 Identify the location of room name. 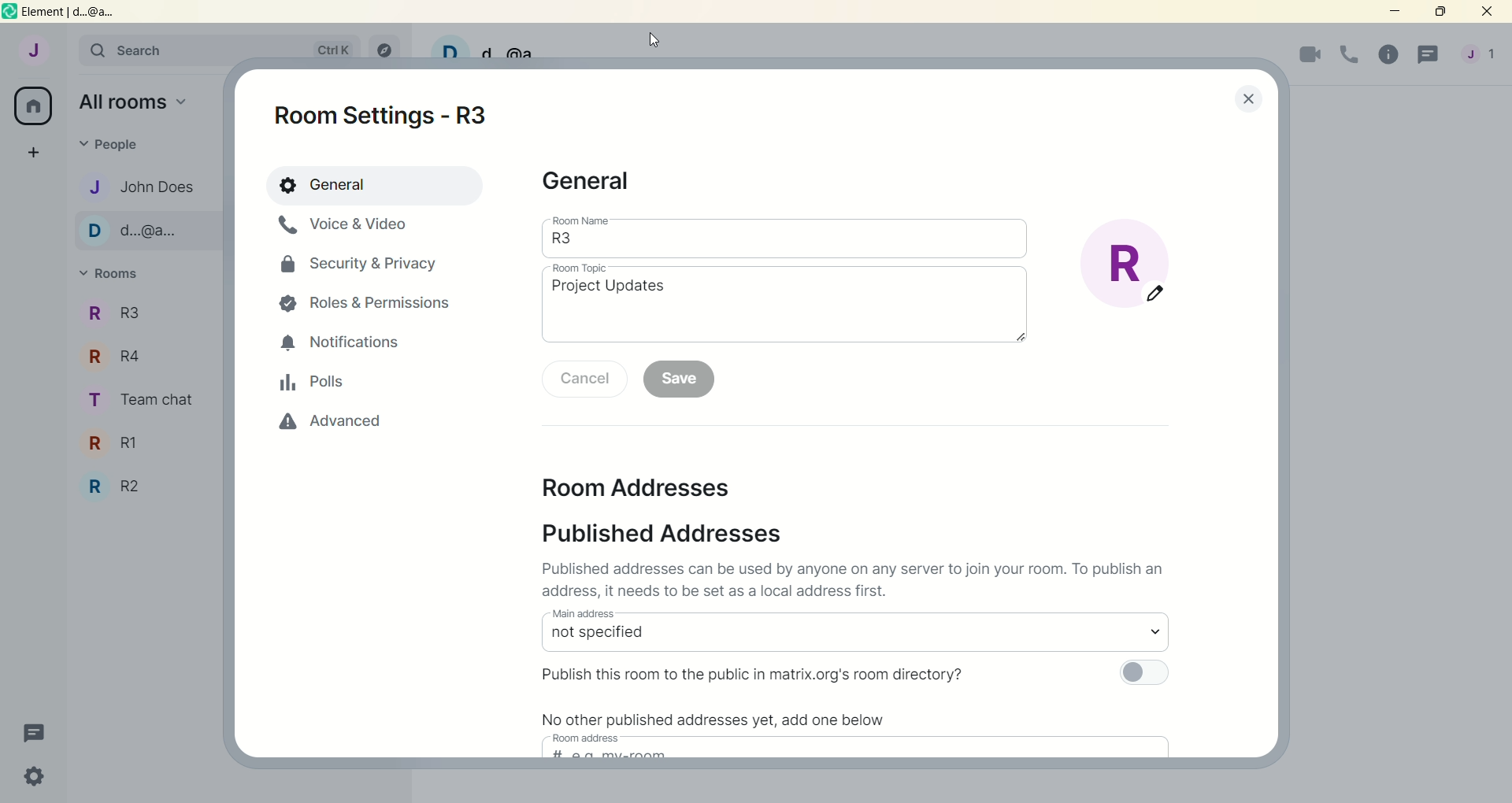
(785, 245).